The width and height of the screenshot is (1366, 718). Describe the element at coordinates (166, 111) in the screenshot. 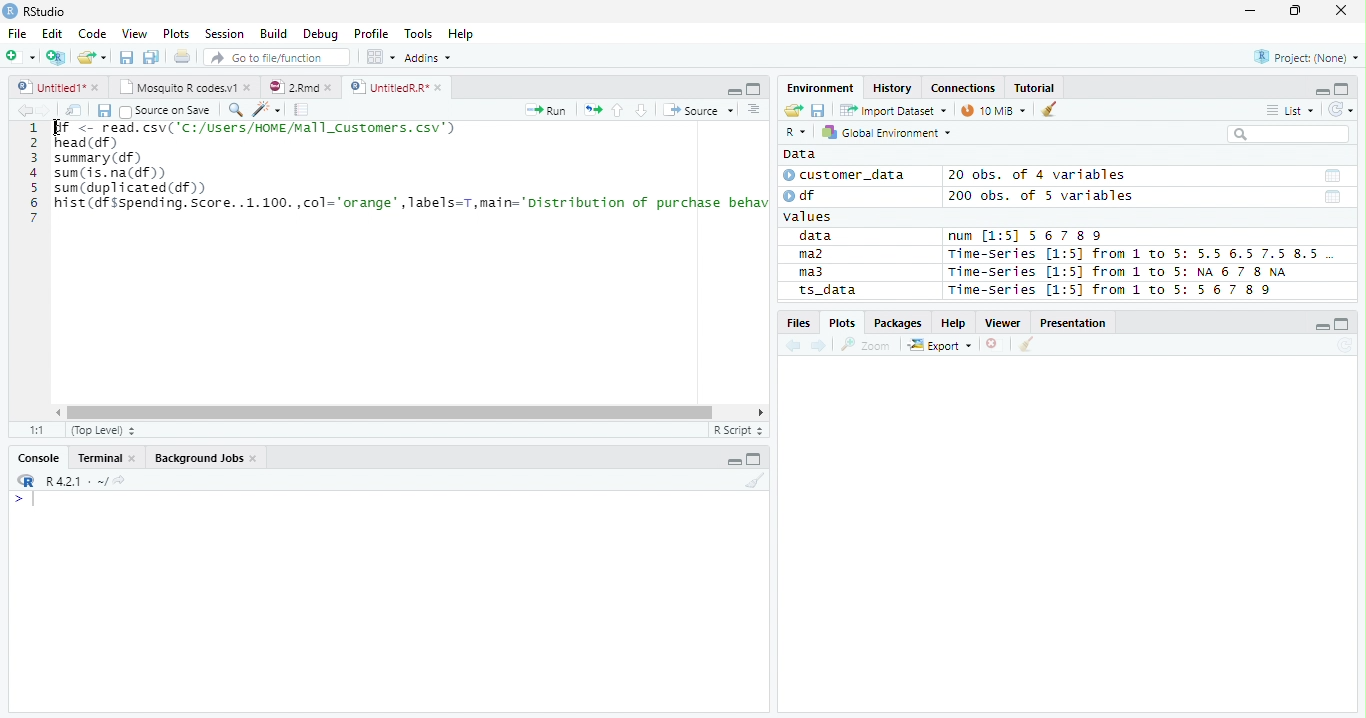

I see `Source on save` at that location.